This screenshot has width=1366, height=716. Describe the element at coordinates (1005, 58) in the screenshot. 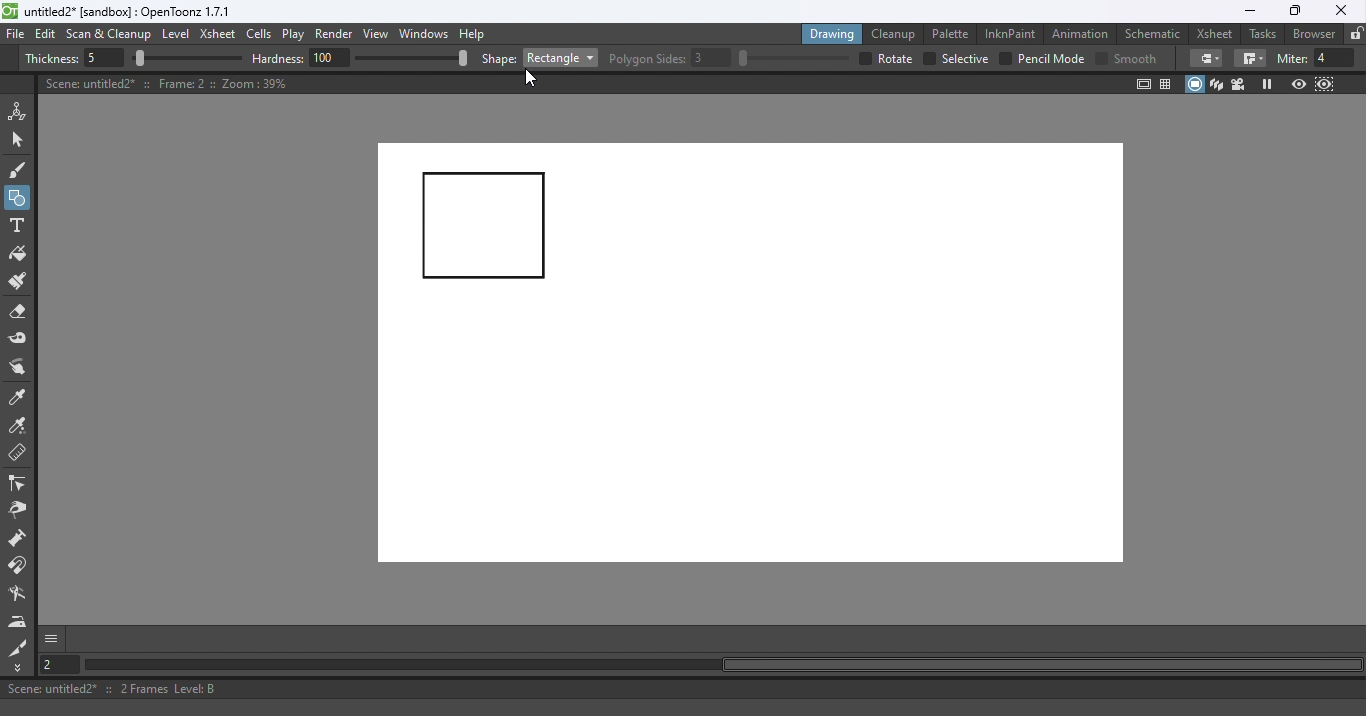

I see `checkbox` at that location.